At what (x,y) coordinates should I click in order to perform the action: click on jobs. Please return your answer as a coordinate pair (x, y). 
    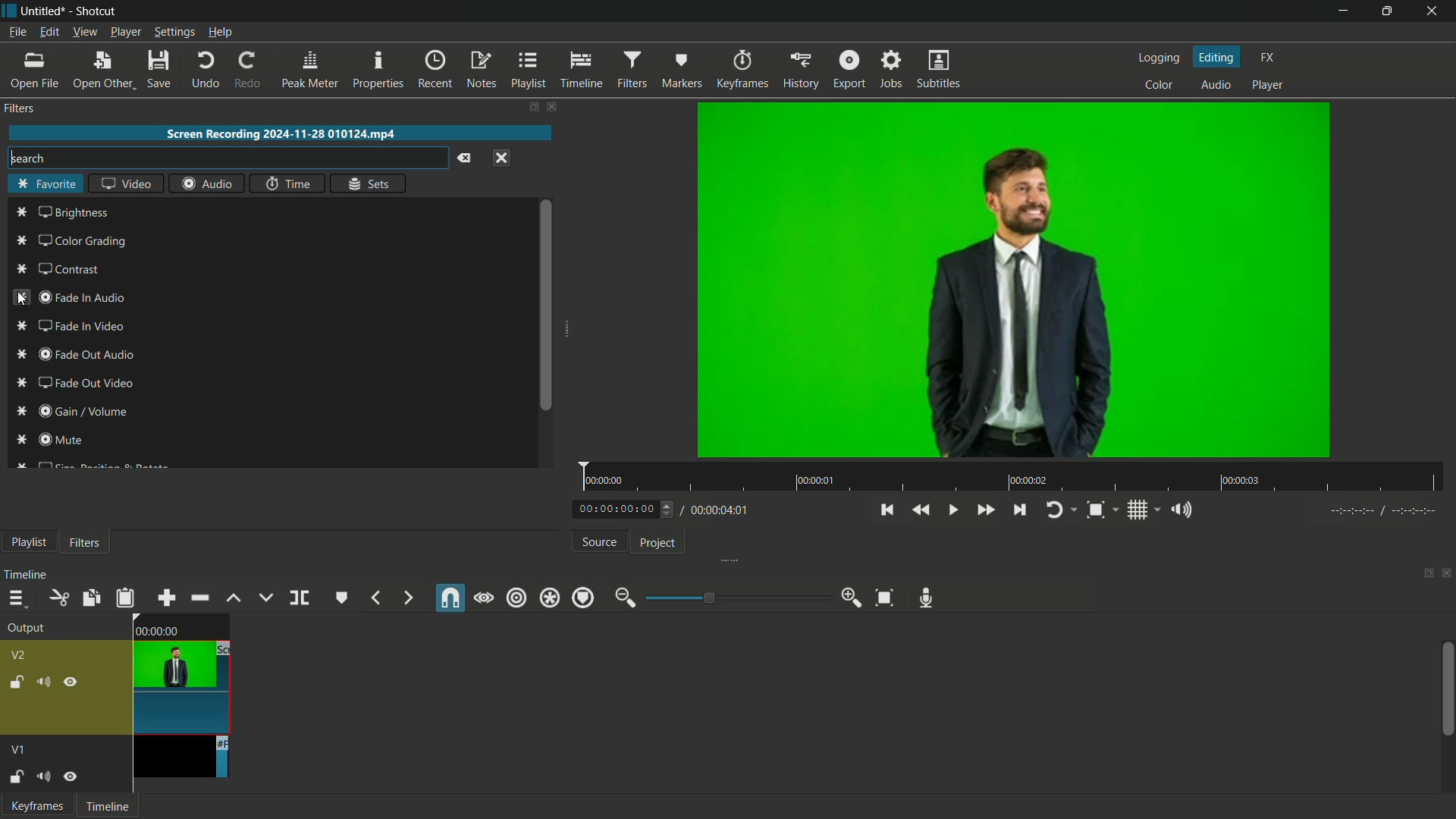
    Looking at the image, I should click on (890, 71).